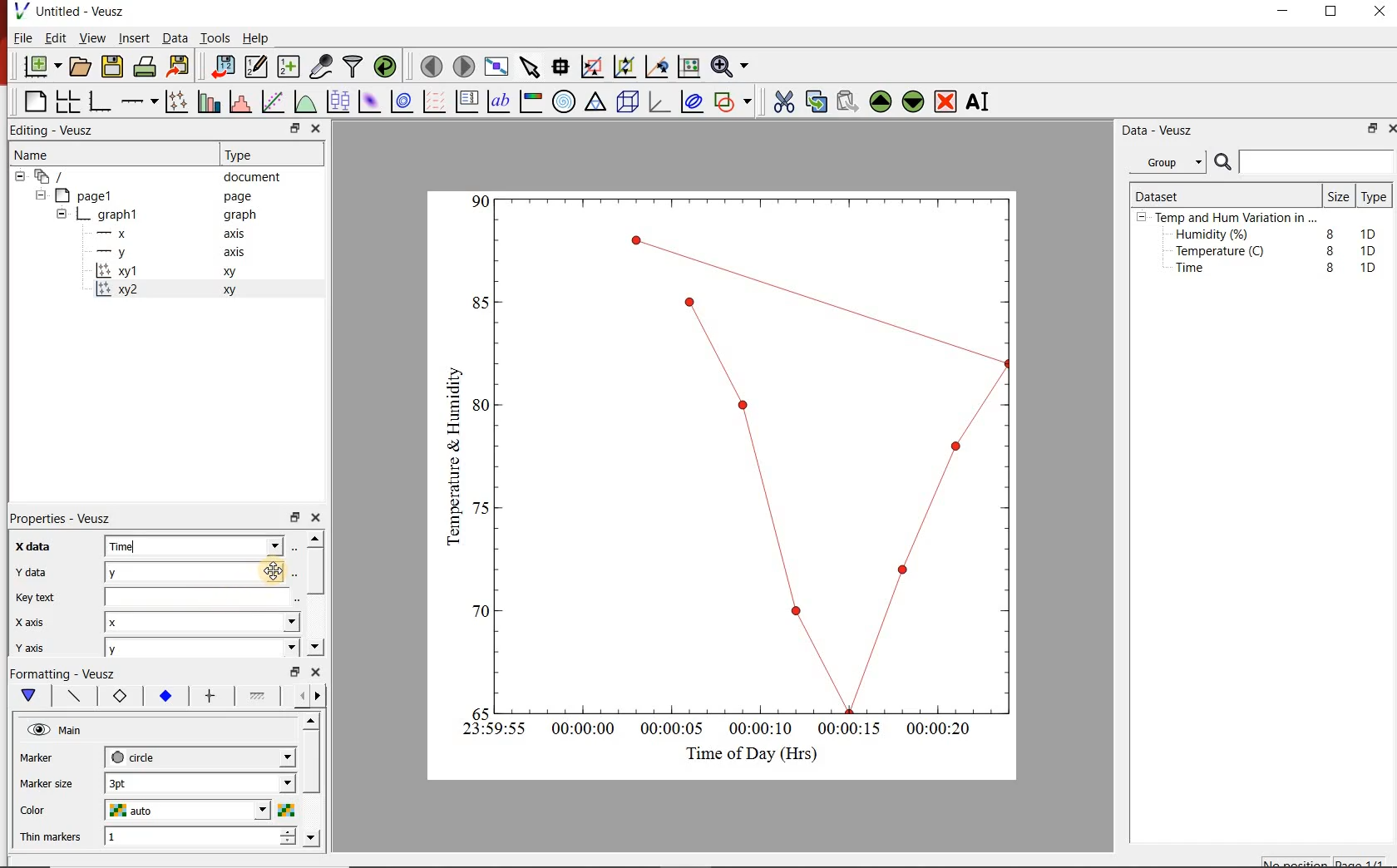 The height and width of the screenshot is (868, 1397). What do you see at coordinates (237, 811) in the screenshot?
I see `Color dropdown` at bounding box center [237, 811].